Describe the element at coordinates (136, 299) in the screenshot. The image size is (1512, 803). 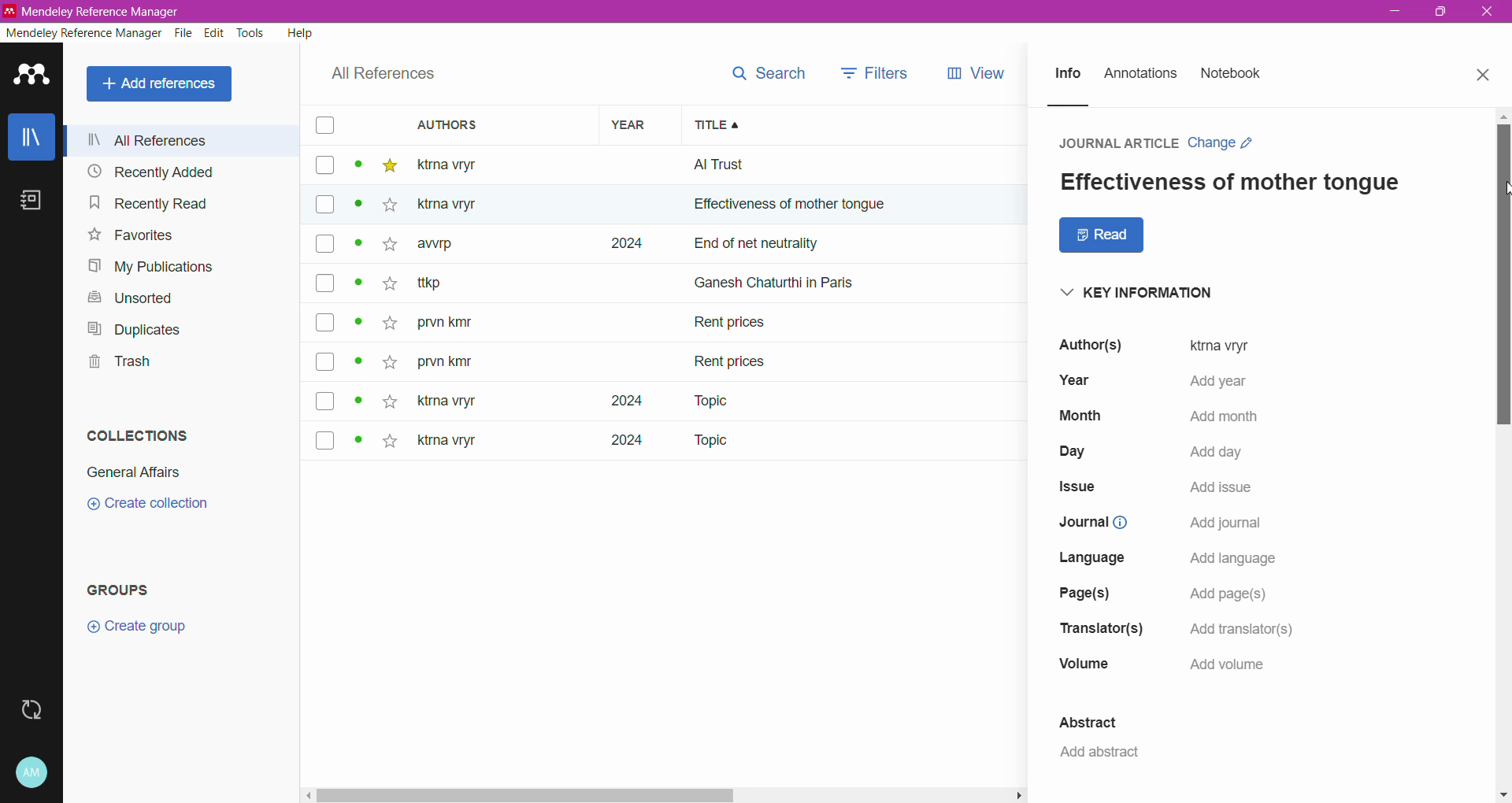
I see `Unsorted` at that location.